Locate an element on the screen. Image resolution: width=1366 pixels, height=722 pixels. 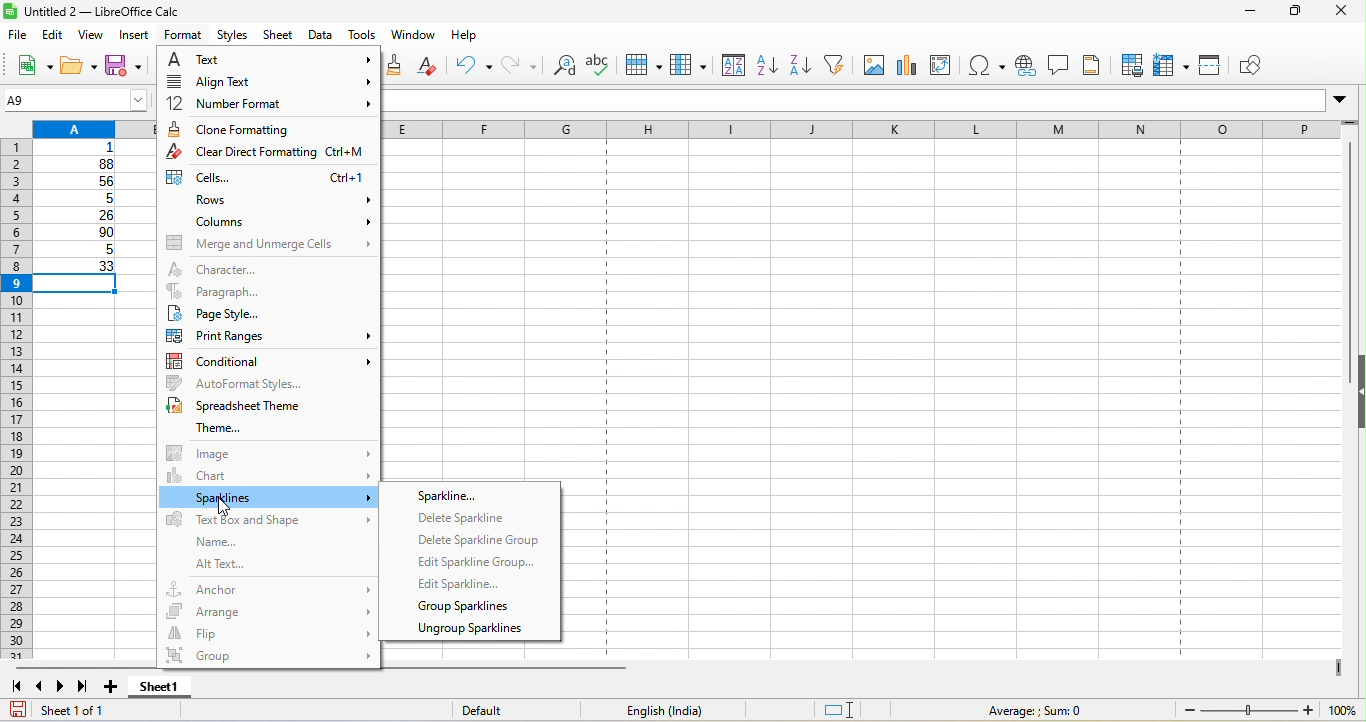
A9 (name box) is located at coordinates (75, 99).